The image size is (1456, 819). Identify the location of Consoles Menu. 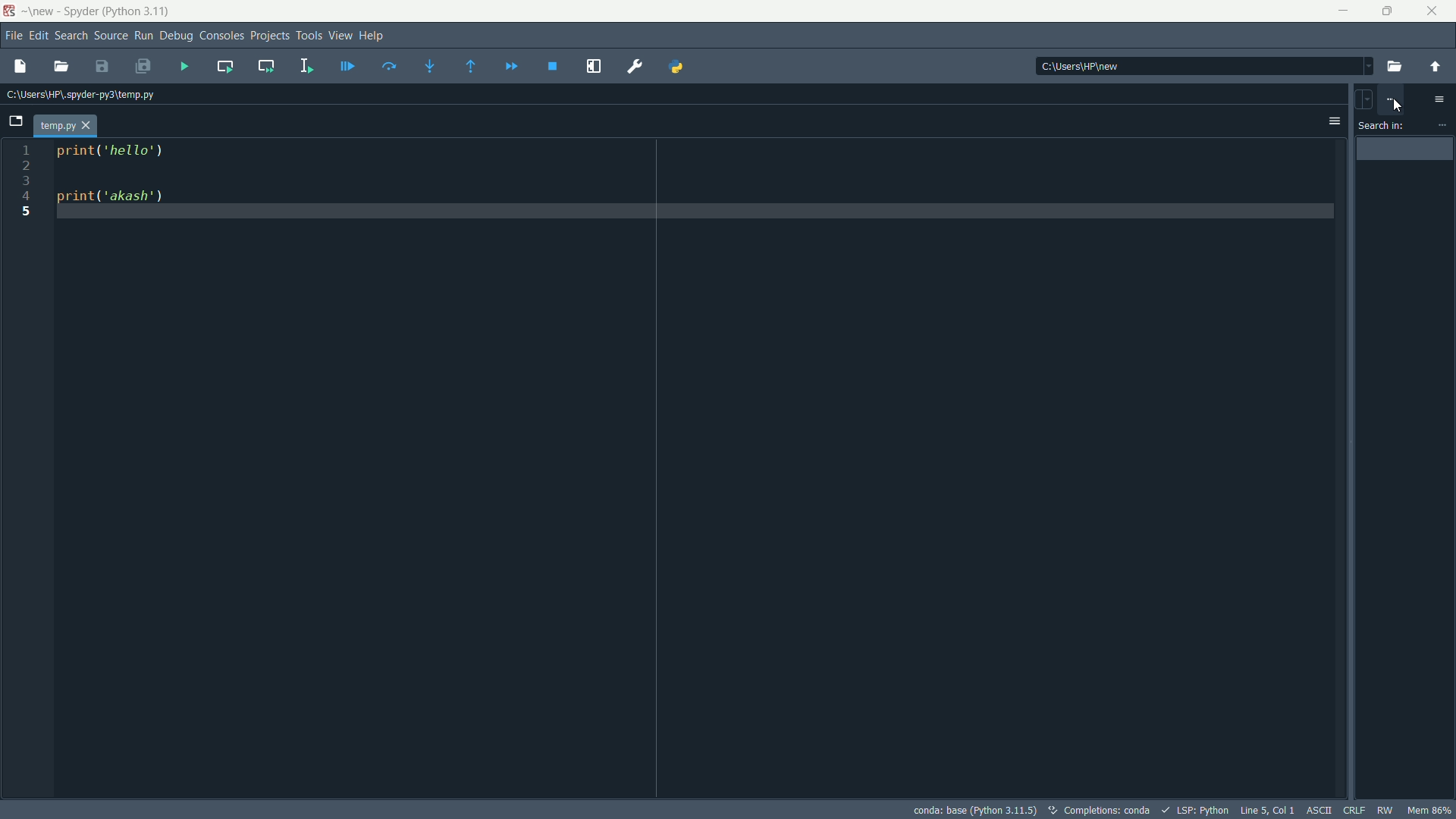
(218, 37).